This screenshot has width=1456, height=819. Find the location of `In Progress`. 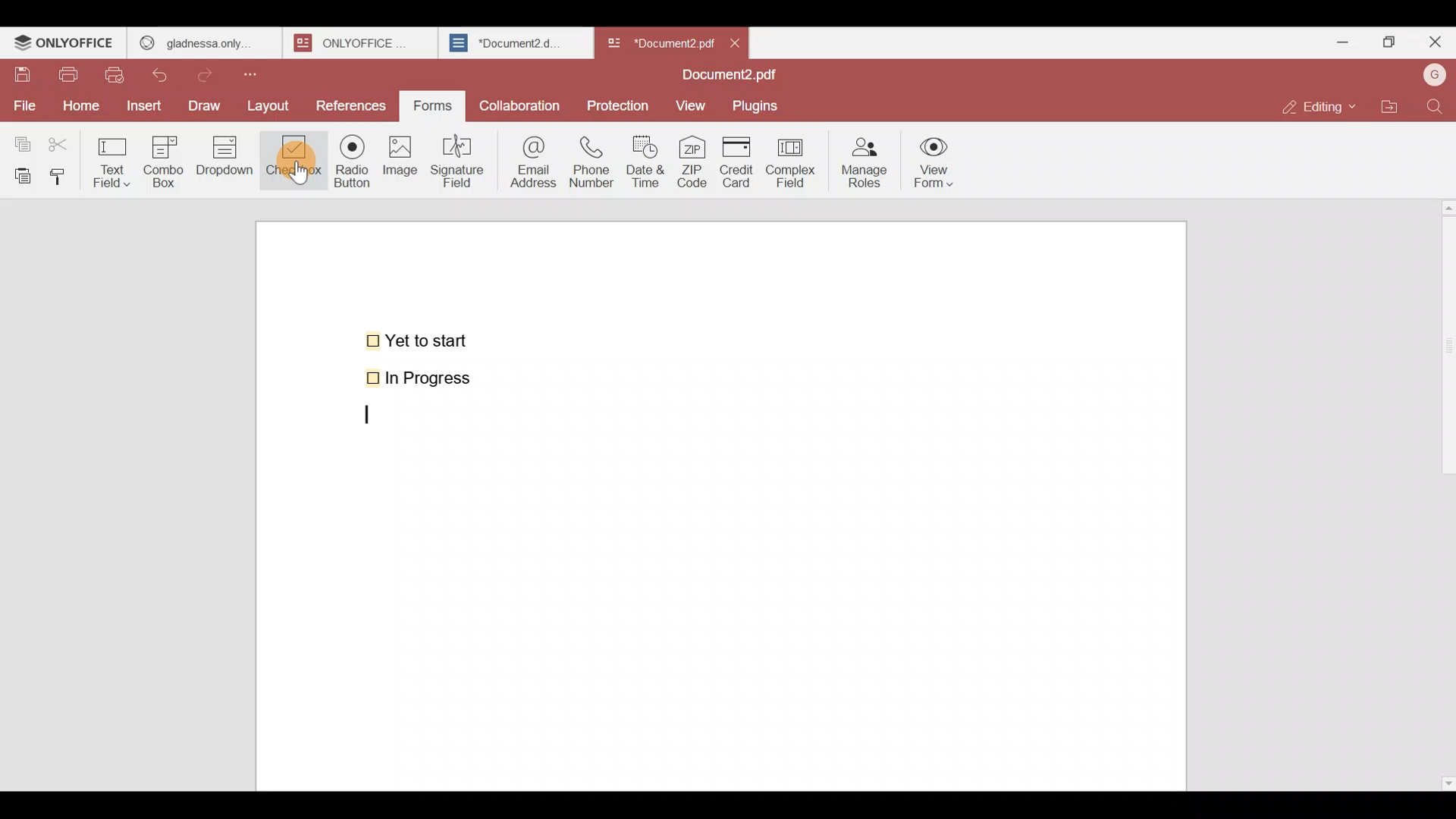

In Progress is located at coordinates (427, 378).